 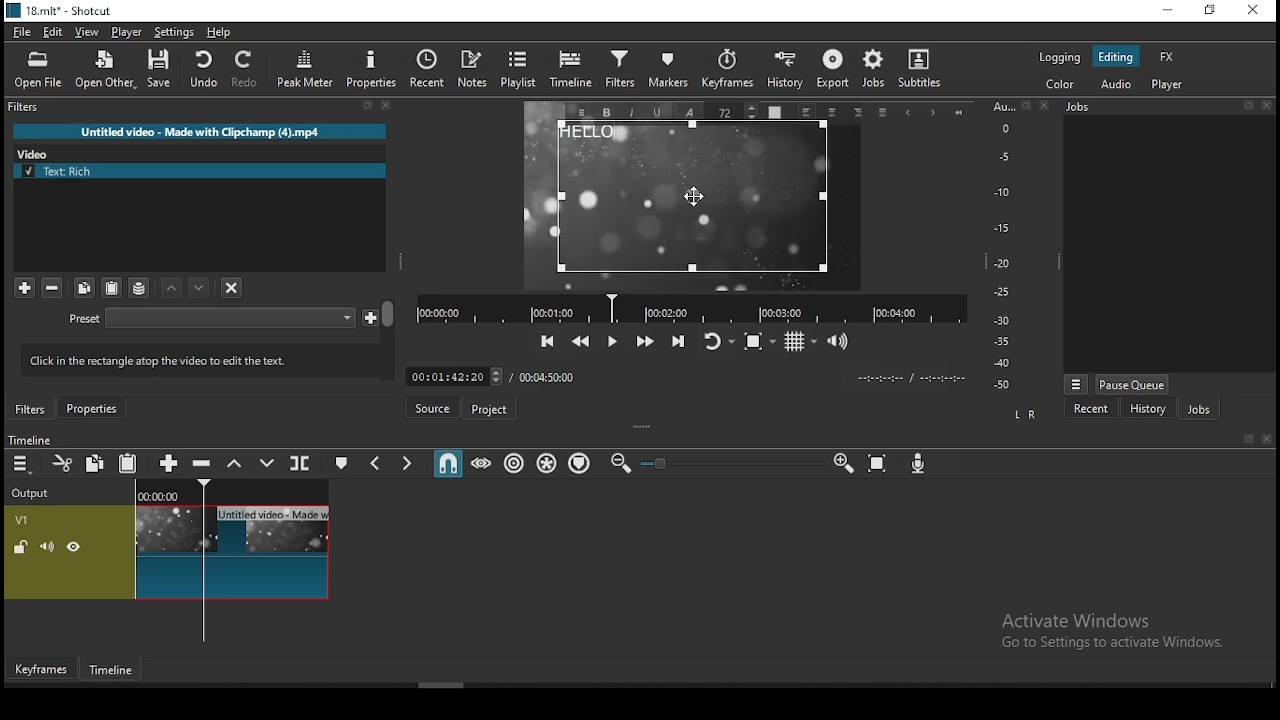 I want to click on recent, so click(x=1092, y=408).